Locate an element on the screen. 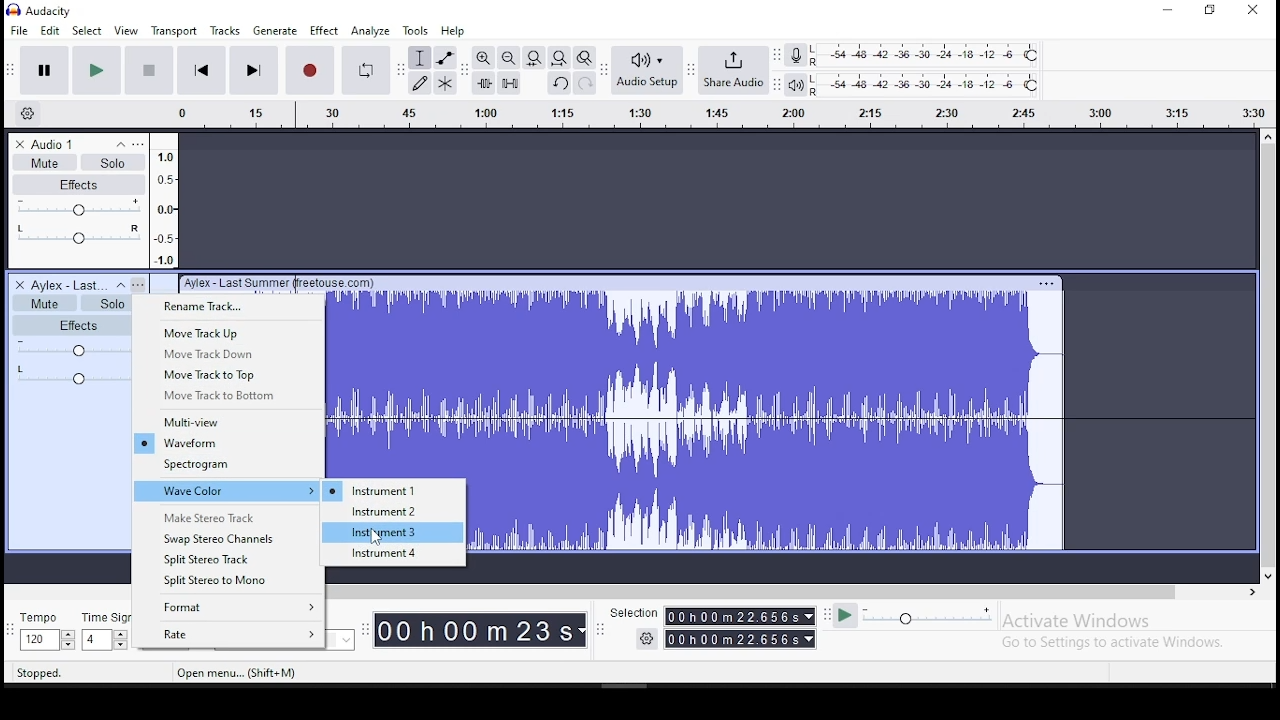  split stereo track is located at coordinates (230, 558).